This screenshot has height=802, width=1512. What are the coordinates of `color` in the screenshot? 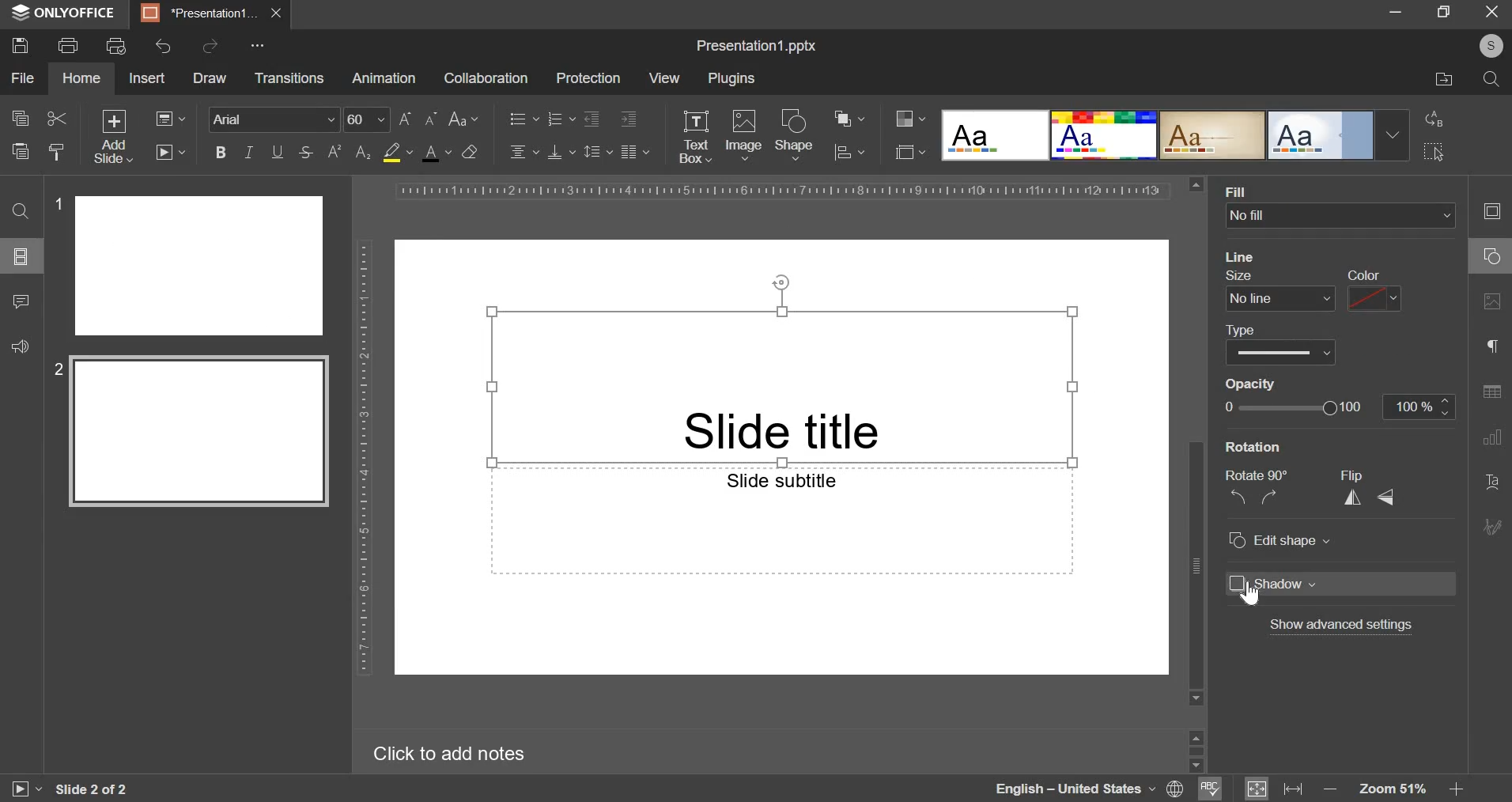 It's located at (1373, 290).